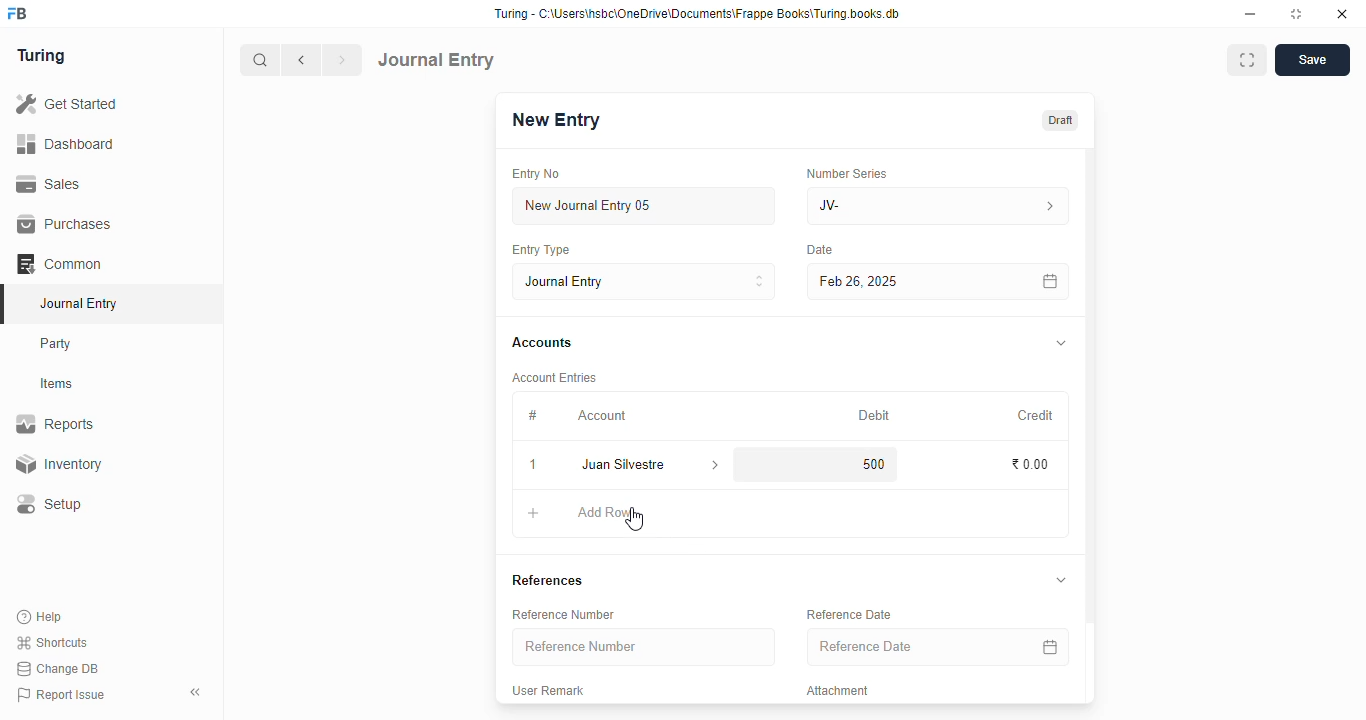 Image resolution: width=1366 pixels, height=720 pixels. I want to click on attachment, so click(838, 691).